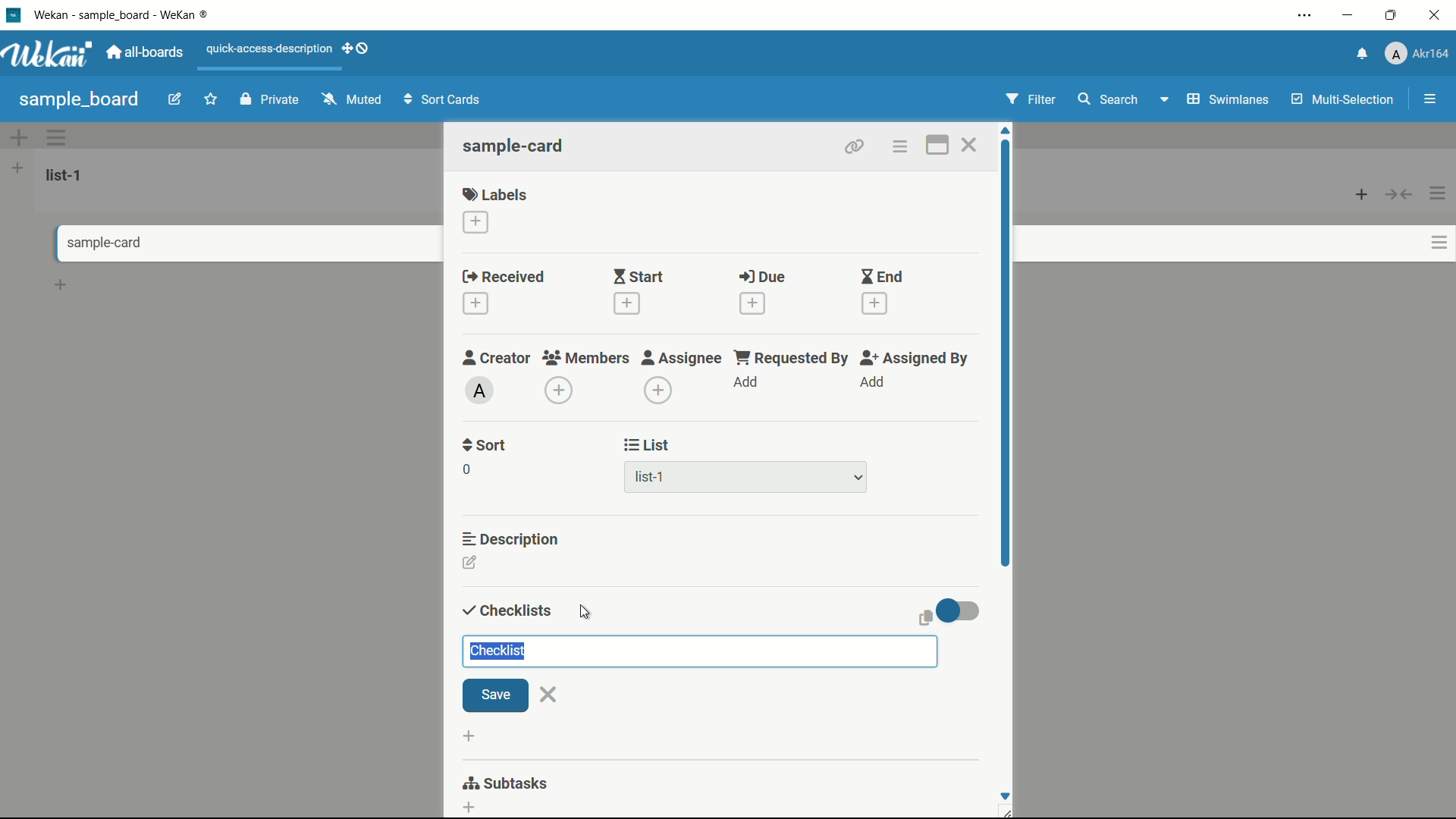 The width and height of the screenshot is (1456, 819). Describe the element at coordinates (659, 391) in the screenshot. I see `add assignee` at that location.